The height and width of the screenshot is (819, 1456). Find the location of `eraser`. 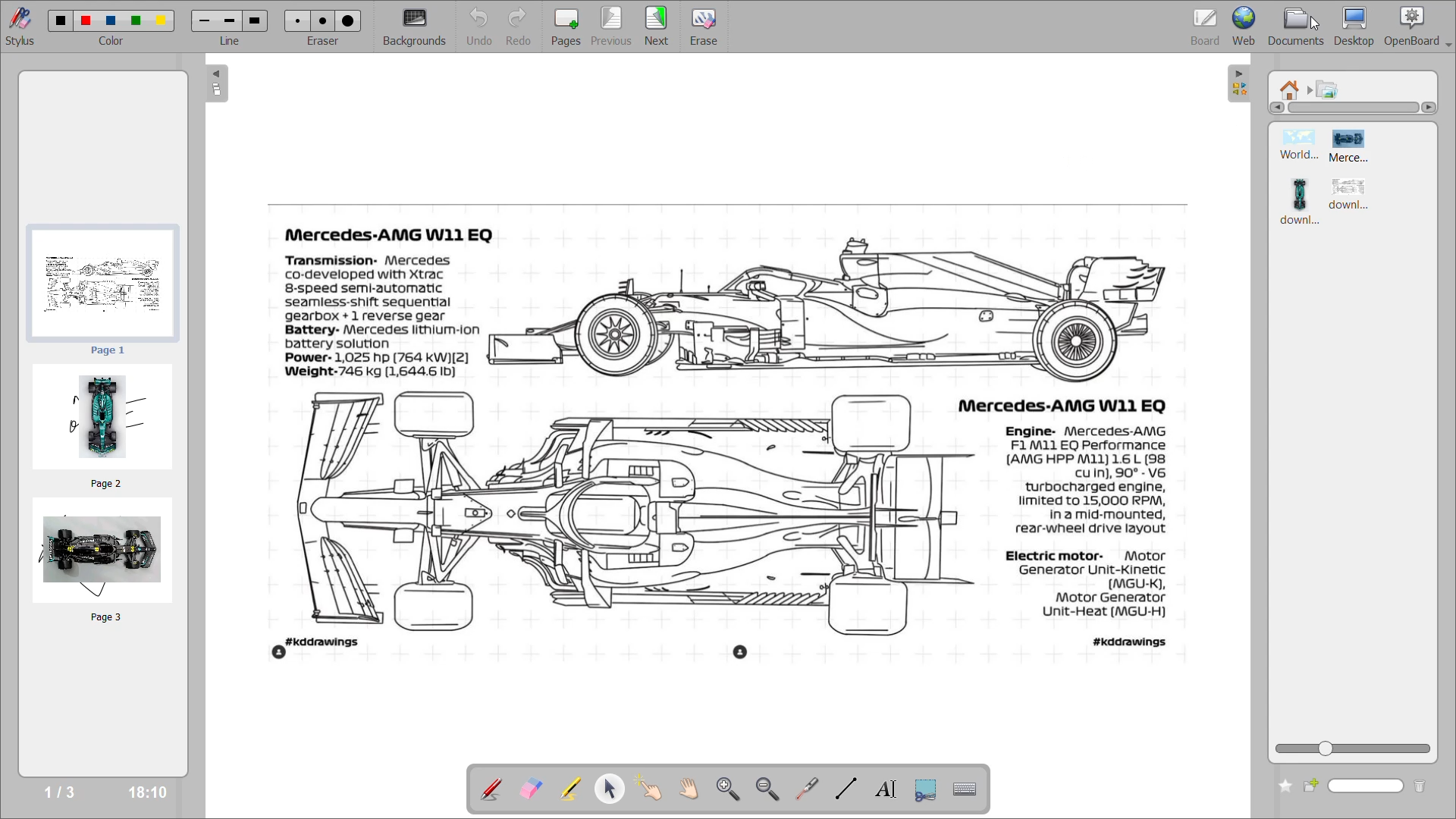

eraser is located at coordinates (325, 41).